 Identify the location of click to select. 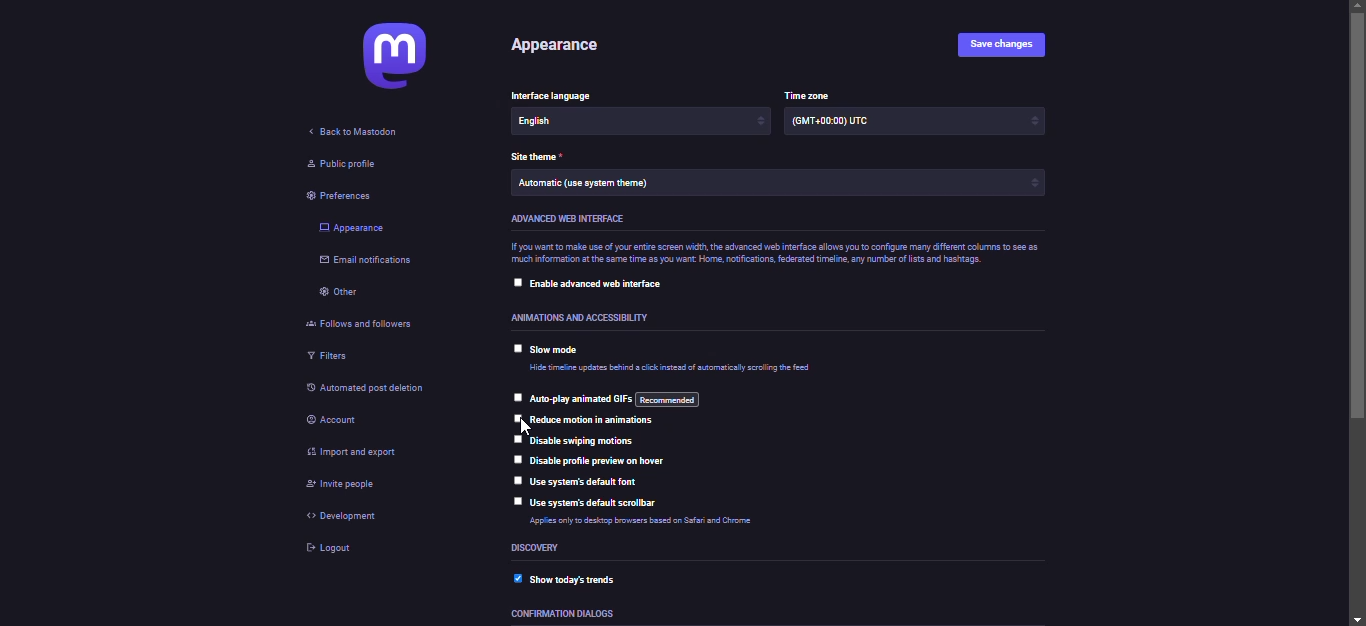
(517, 501).